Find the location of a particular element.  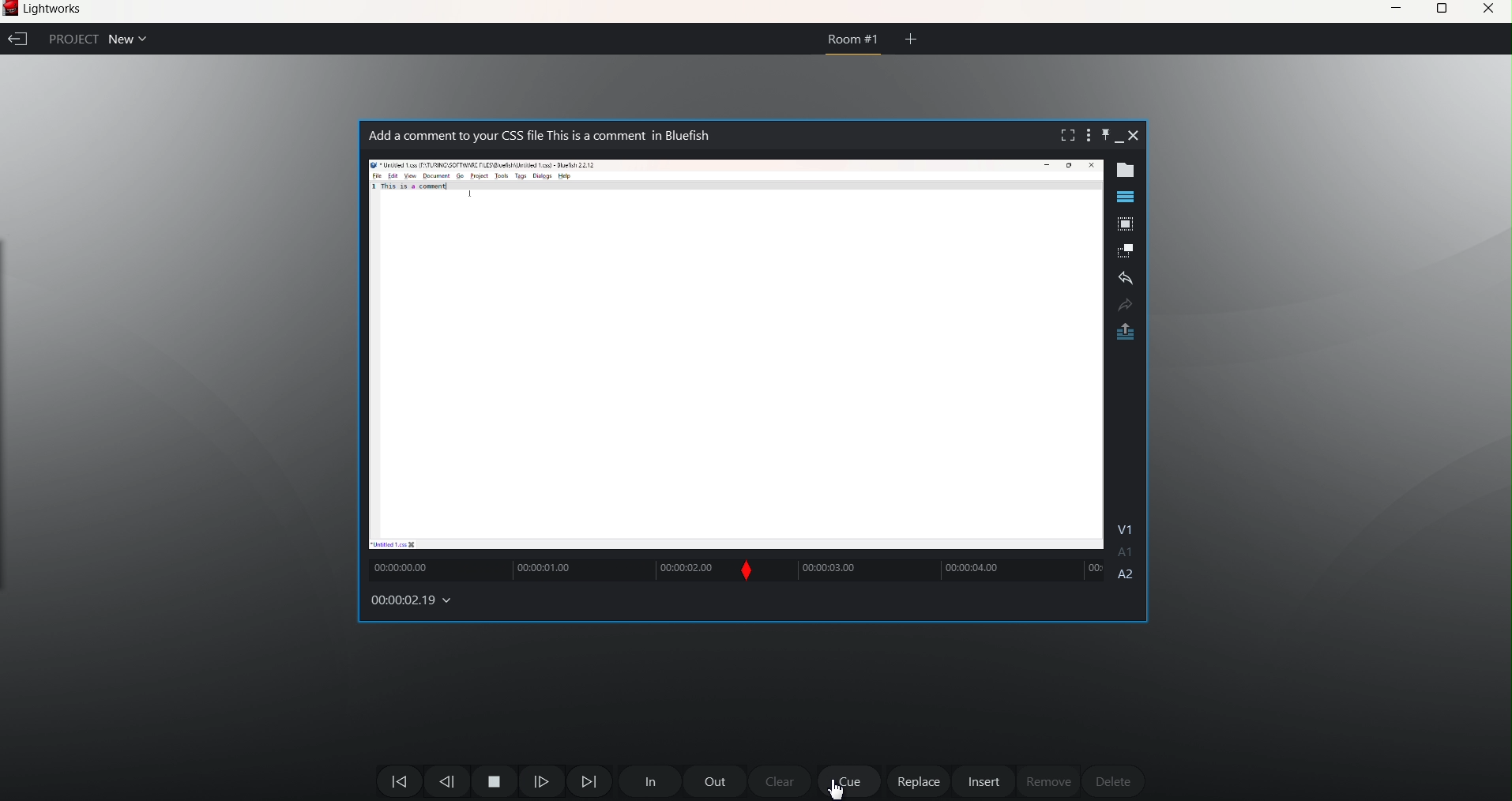

V1 A1 A2 (clip track) is located at coordinates (939, 570).